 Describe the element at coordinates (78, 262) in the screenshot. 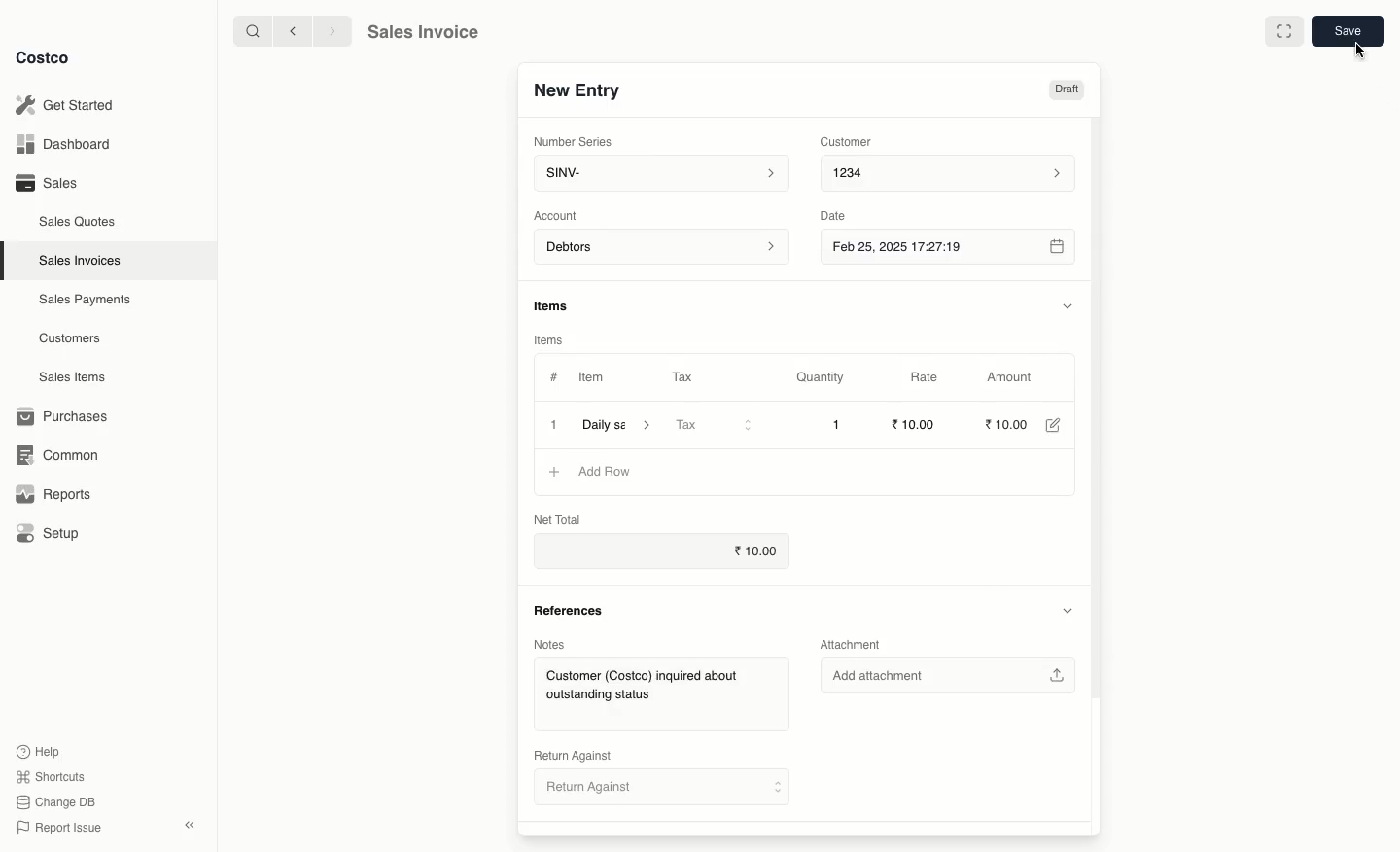

I see `Sales Invoices.` at that location.